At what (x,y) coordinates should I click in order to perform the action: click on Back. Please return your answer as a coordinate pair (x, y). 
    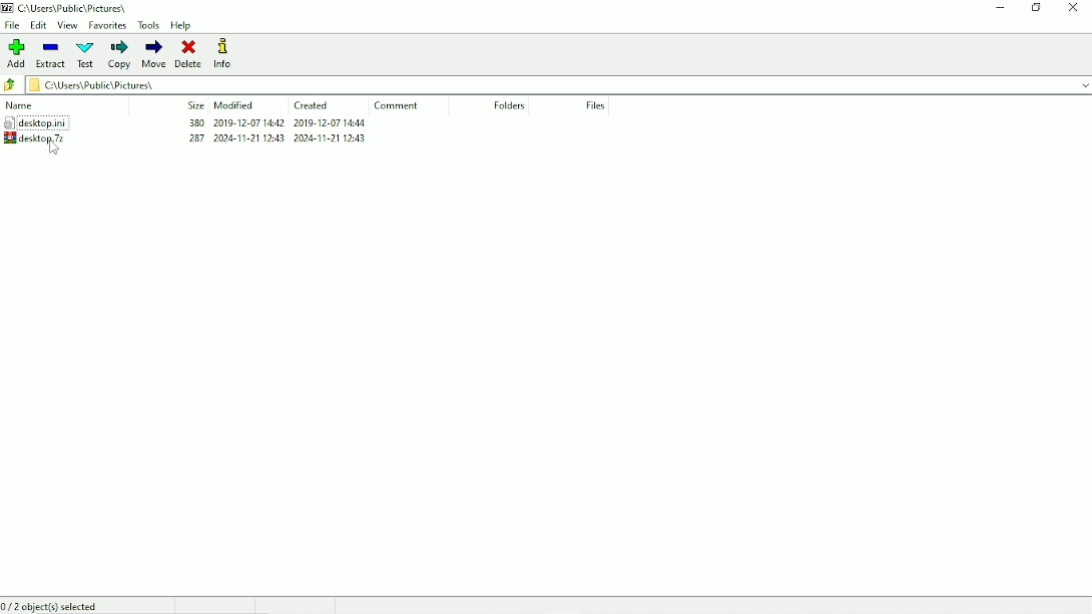
    Looking at the image, I should click on (10, 86).